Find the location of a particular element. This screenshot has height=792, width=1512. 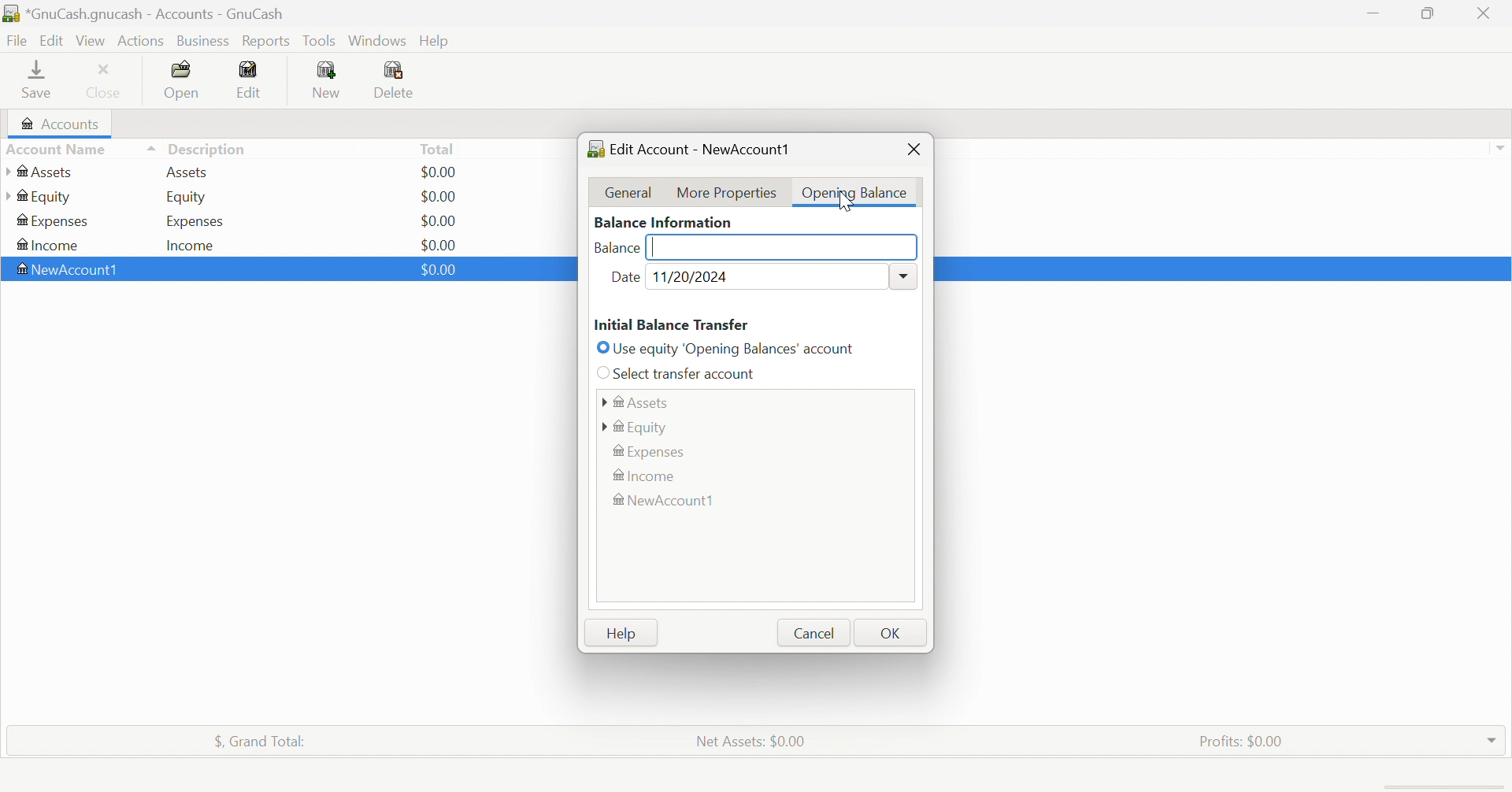

Edit is located at coordinates (254, 77).